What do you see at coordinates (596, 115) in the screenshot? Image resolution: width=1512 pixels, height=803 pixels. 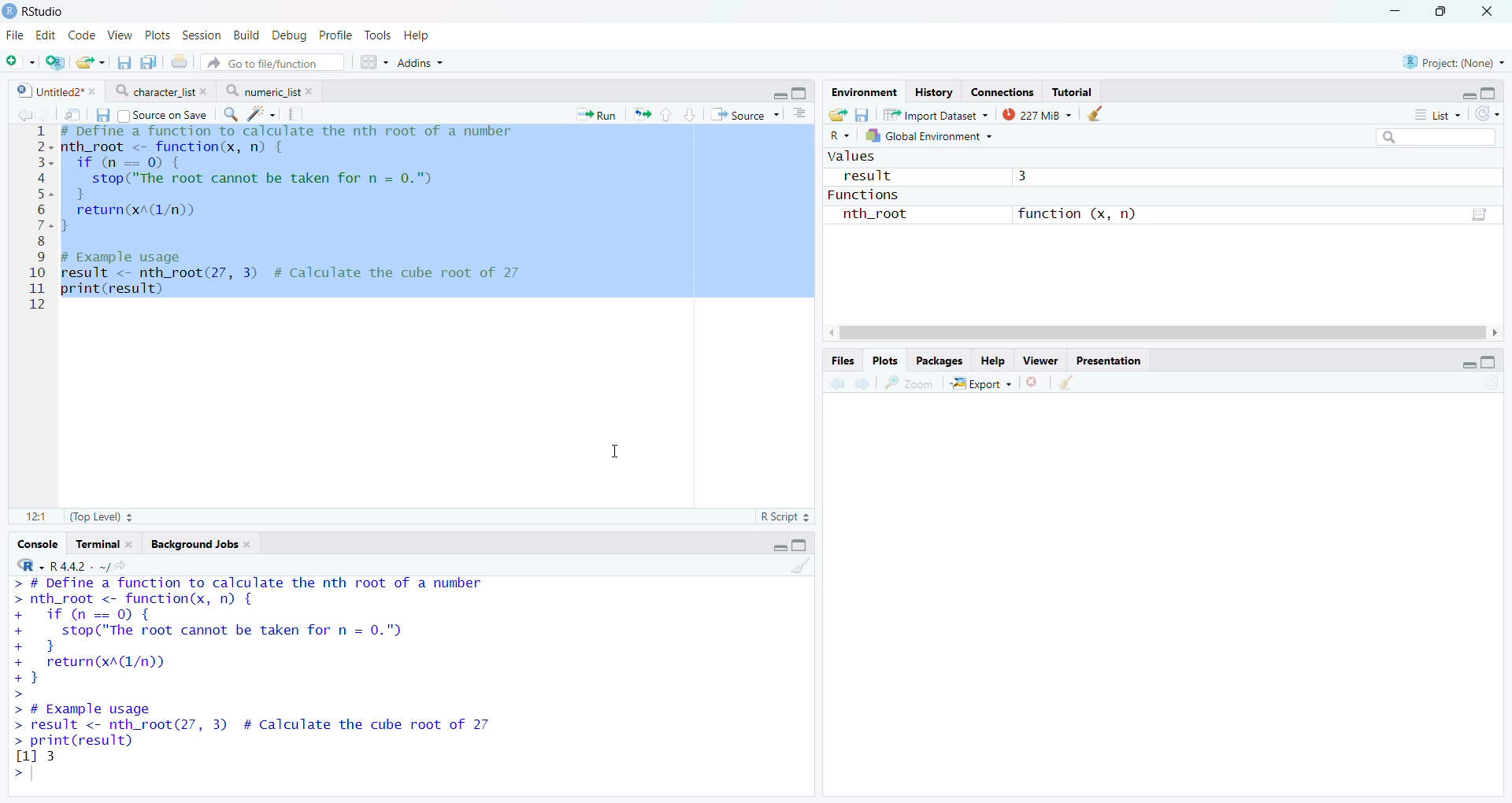 I see `Run the current line or selection` at bounding box center [596, 115].